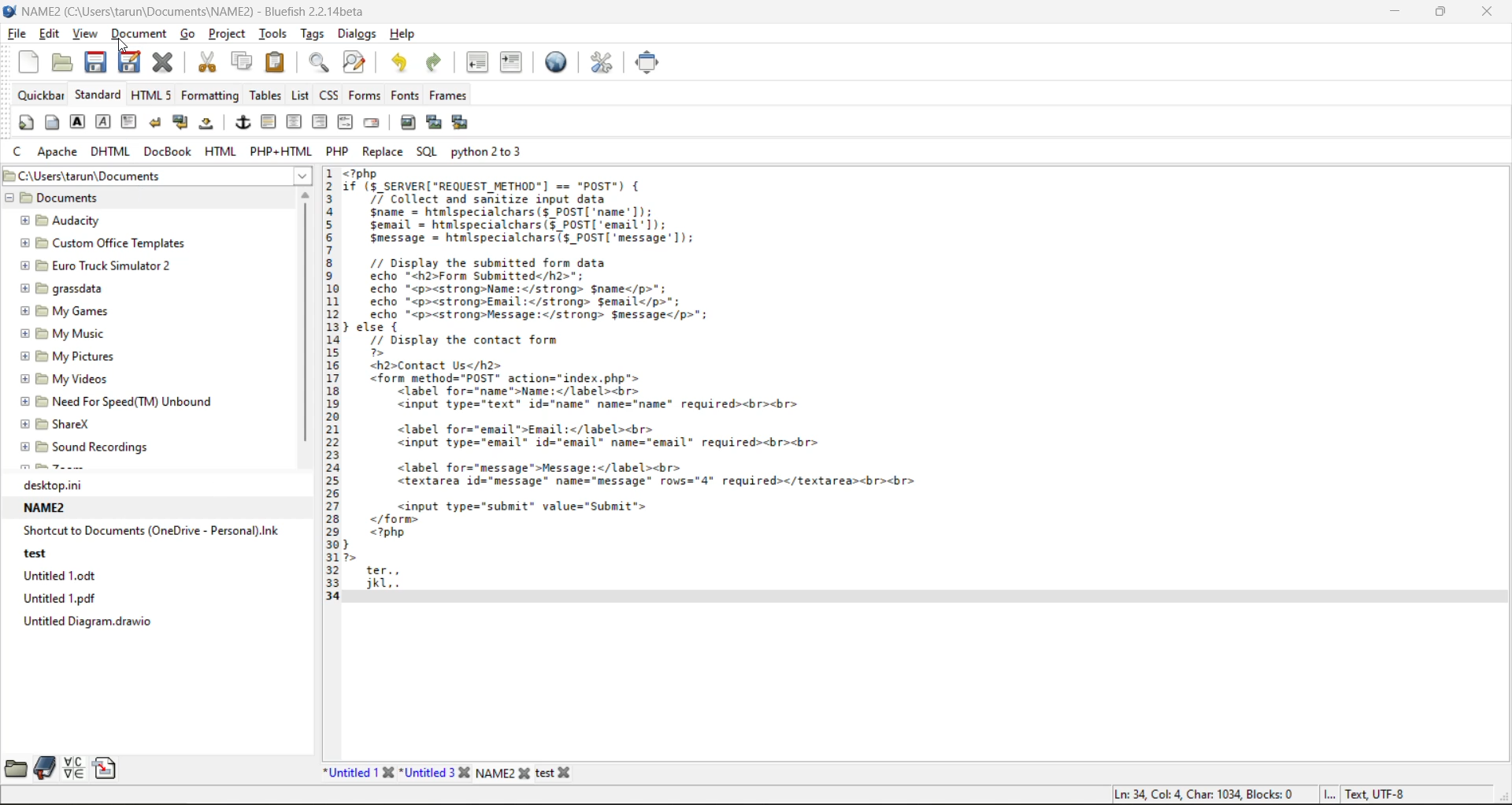 This screenshot has height=805, width=1512. Describe the element at coordinates (80, 334) in the screenshot. I see `my music` at that location.